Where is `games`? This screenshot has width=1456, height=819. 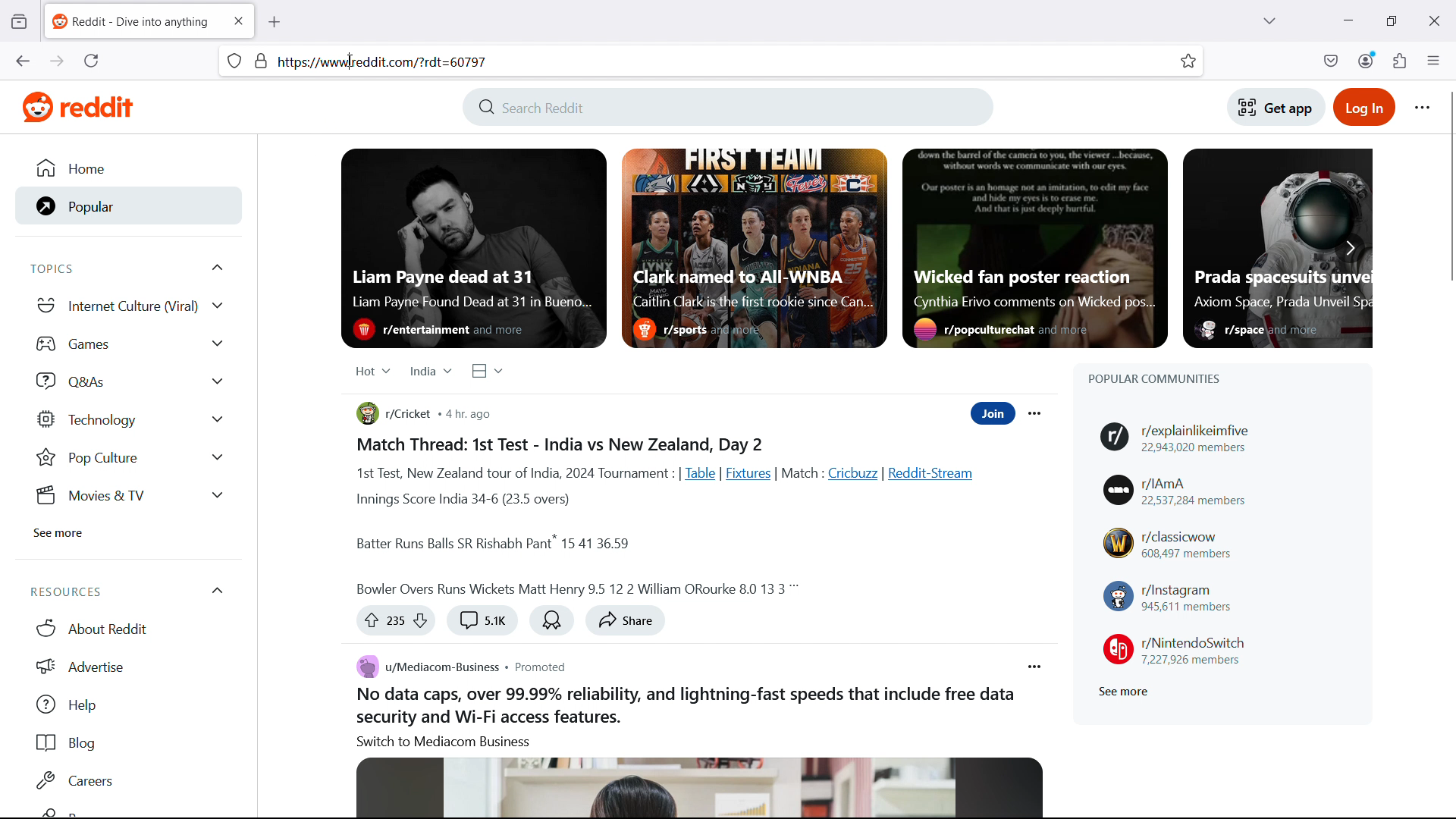
games is located at coordinates (131, 342).